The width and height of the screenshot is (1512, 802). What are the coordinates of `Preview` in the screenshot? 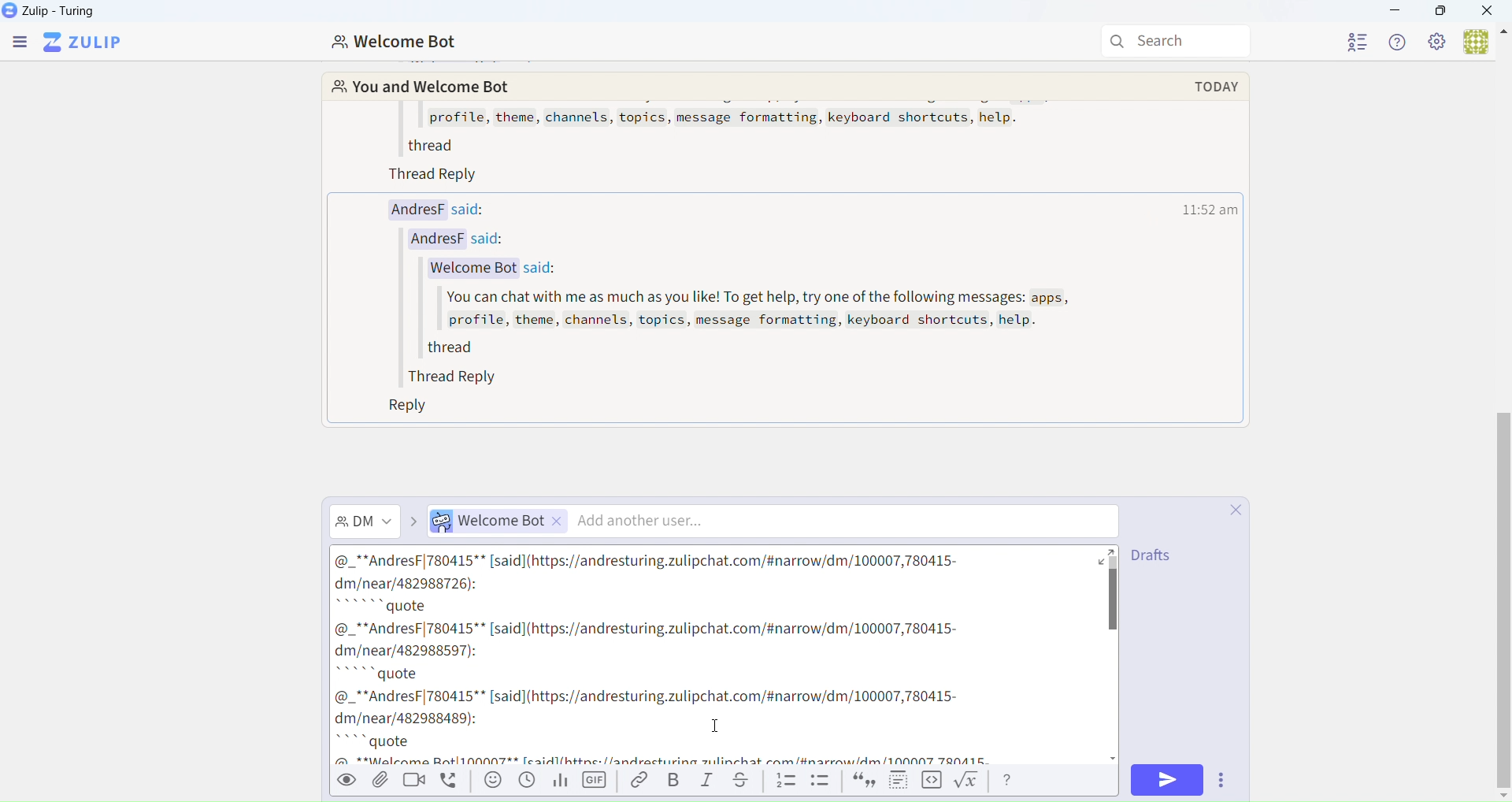 It's located at (348, 779).